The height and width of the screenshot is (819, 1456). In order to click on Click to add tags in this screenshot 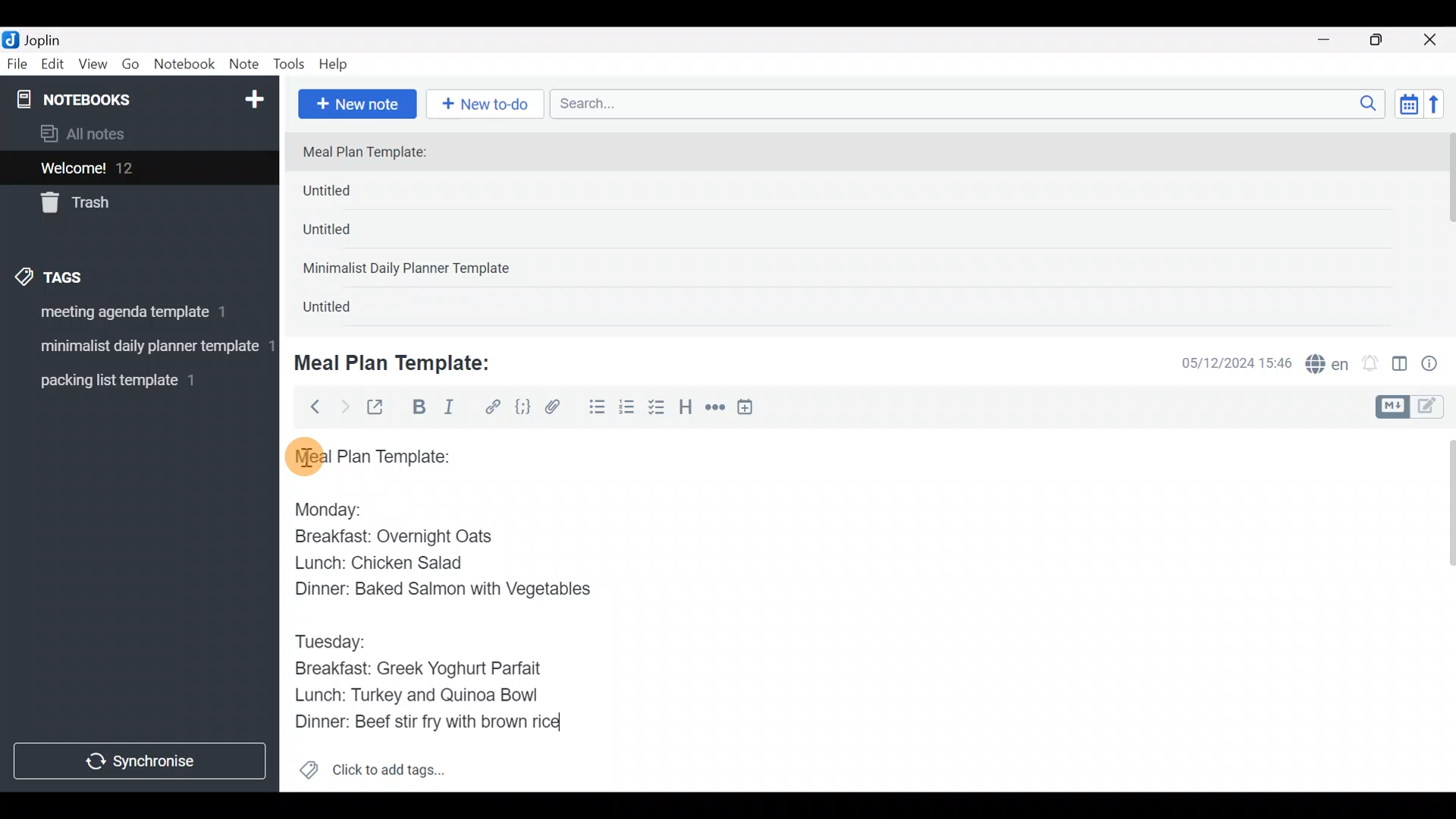, I will do `click(372, 775)`.